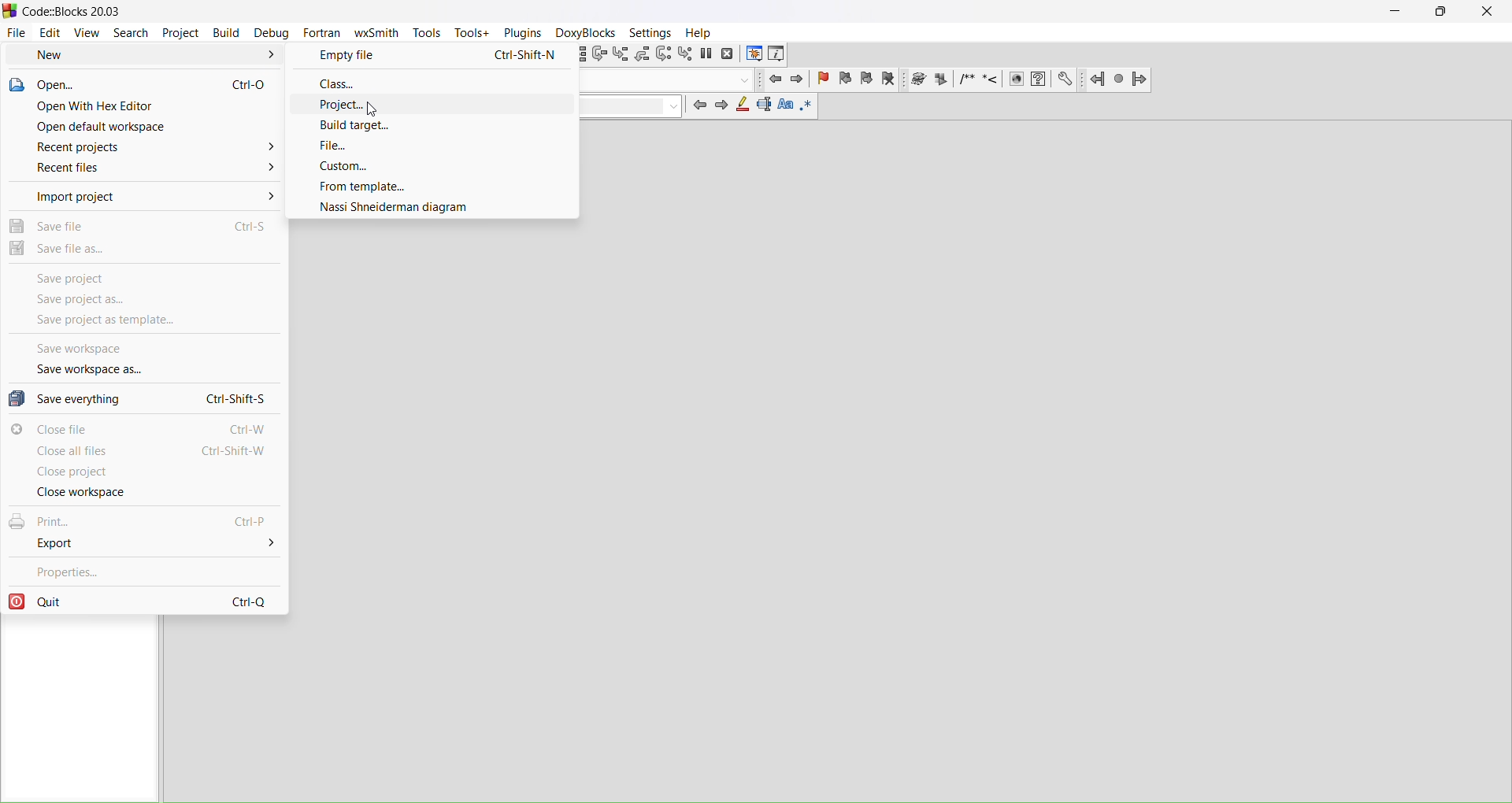 Image resolution: width=1512 pixels, height=803 pixels. What do you see at coordinates (145, 320) in the screenshot?
I see `save project as template` at bounding box center [145, 320].